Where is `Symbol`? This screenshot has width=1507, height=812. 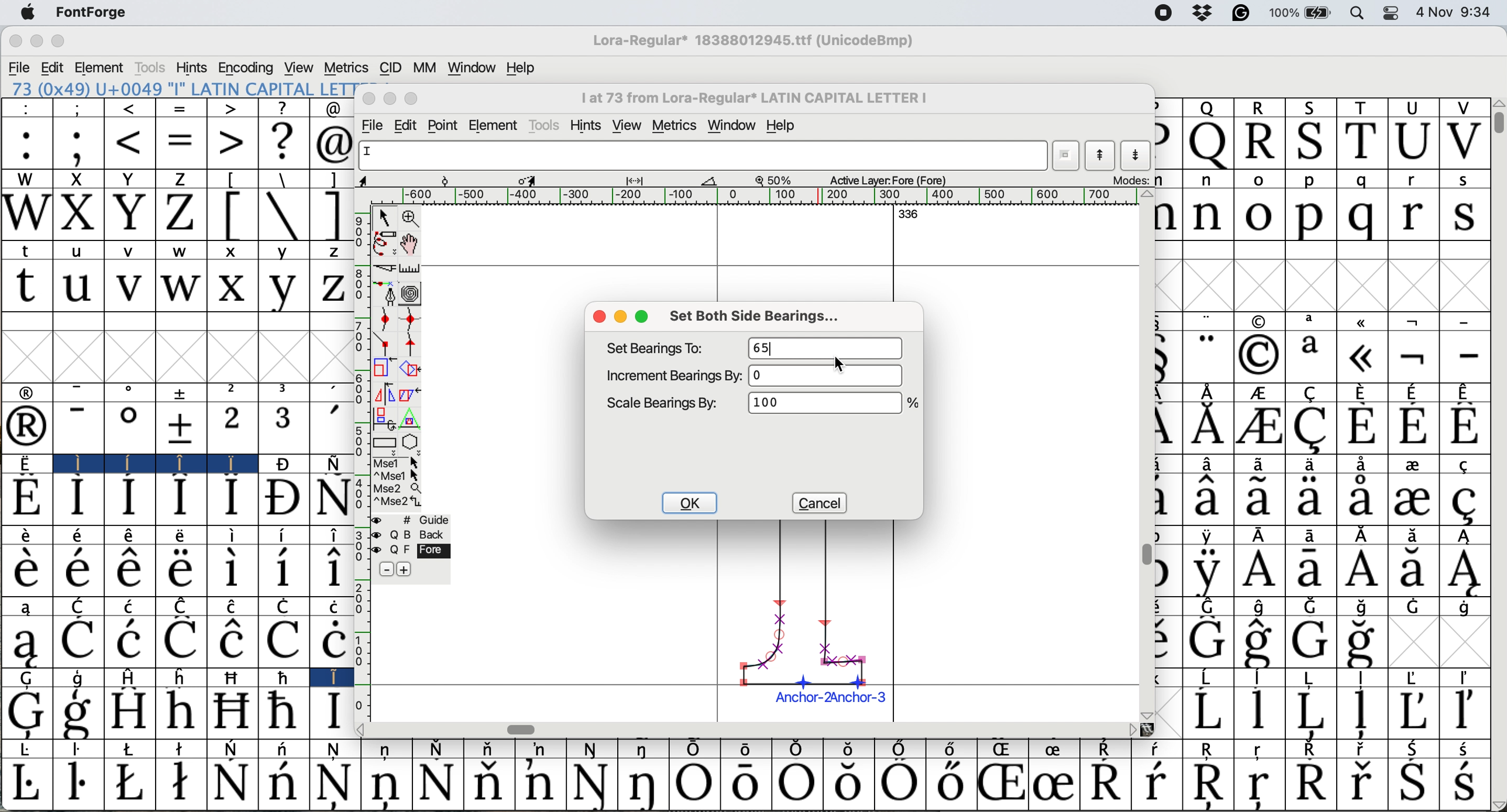 Symbol is located at coordinates (1261, 393).